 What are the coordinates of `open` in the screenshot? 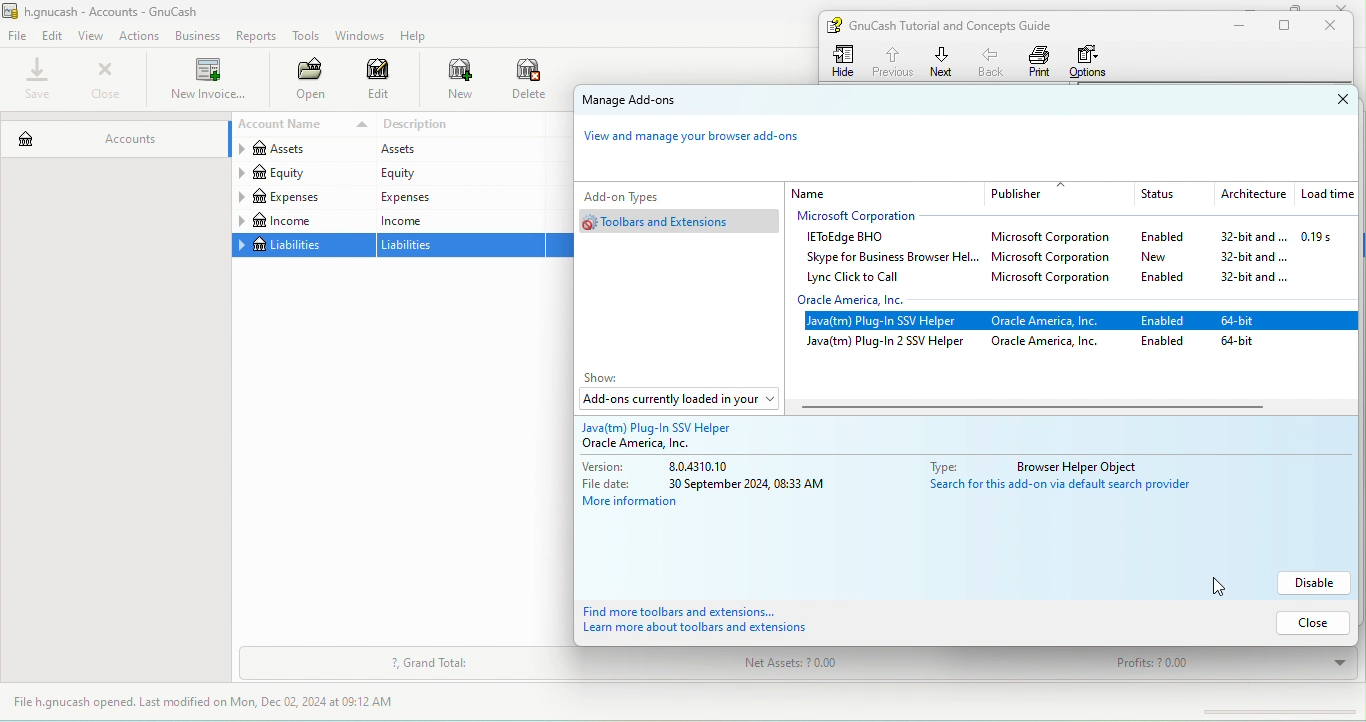 It's located at (305, 81).